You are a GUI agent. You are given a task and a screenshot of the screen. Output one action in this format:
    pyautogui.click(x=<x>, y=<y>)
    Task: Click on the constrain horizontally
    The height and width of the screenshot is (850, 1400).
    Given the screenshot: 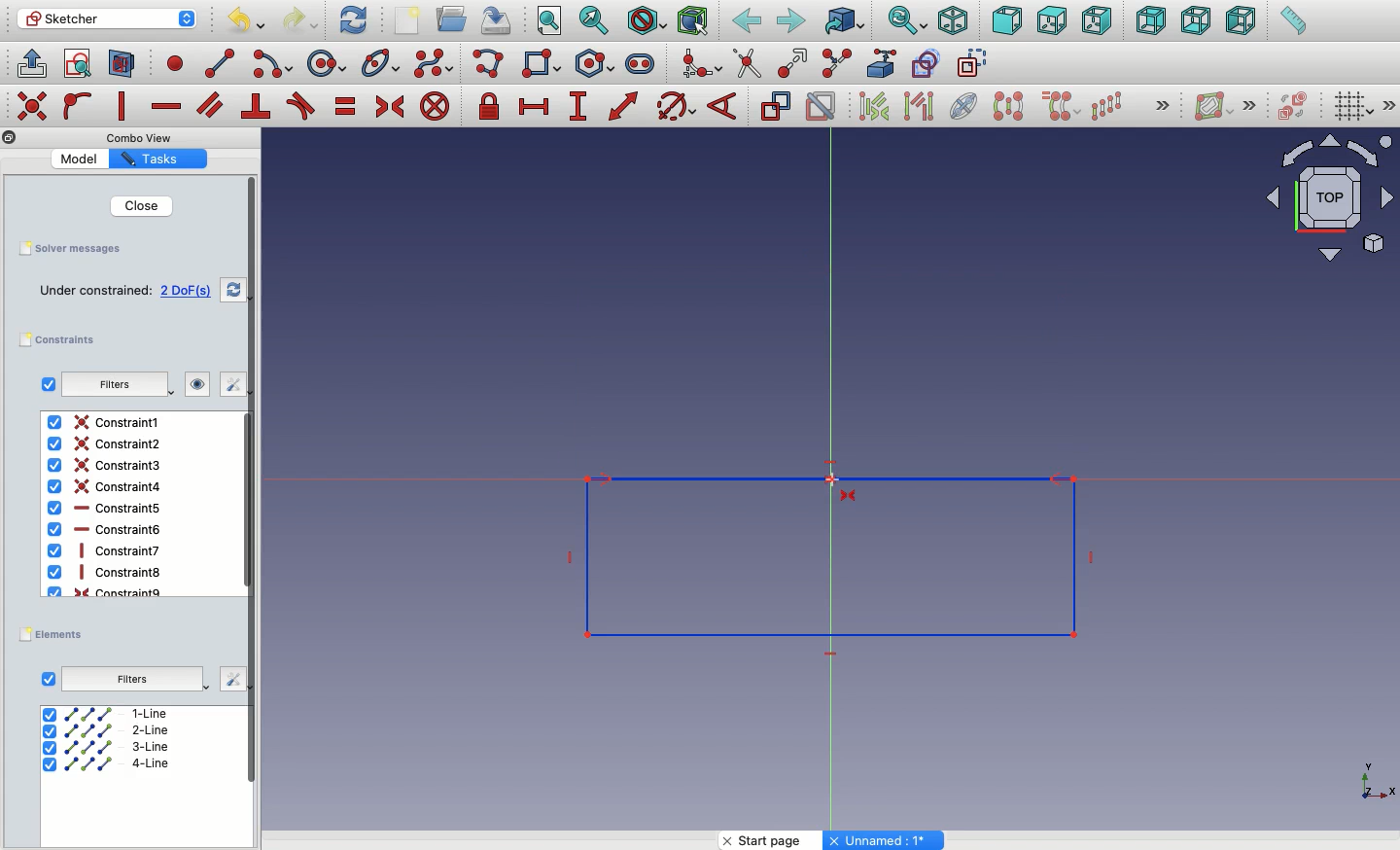 What is the action you would take?
    pyautogui.click(x=168, y=101)
    